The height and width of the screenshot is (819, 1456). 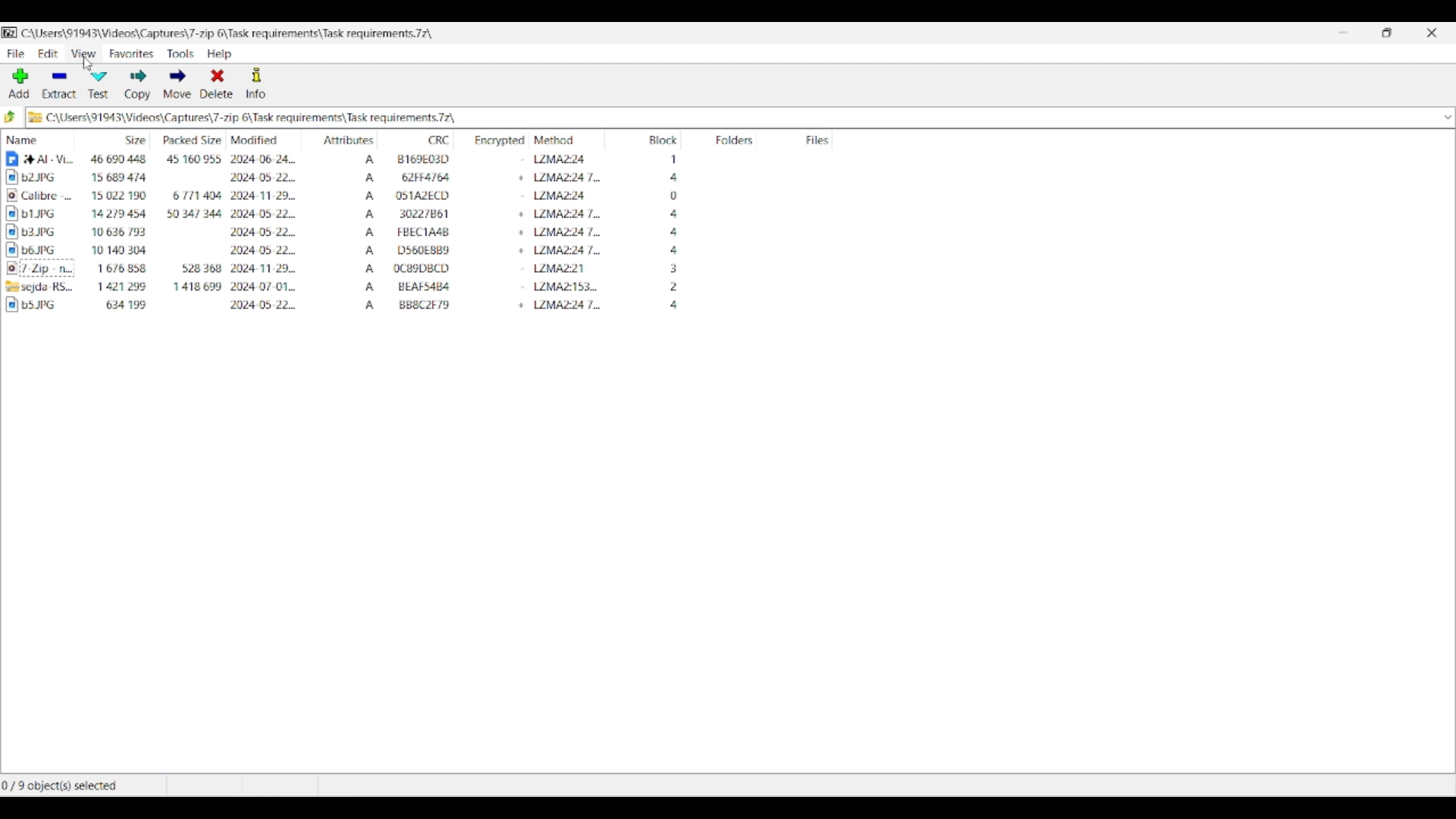 What do you see at coordinates (16, 54) in the screenshot?
I see `File menu` at bounding box center [16, 54].